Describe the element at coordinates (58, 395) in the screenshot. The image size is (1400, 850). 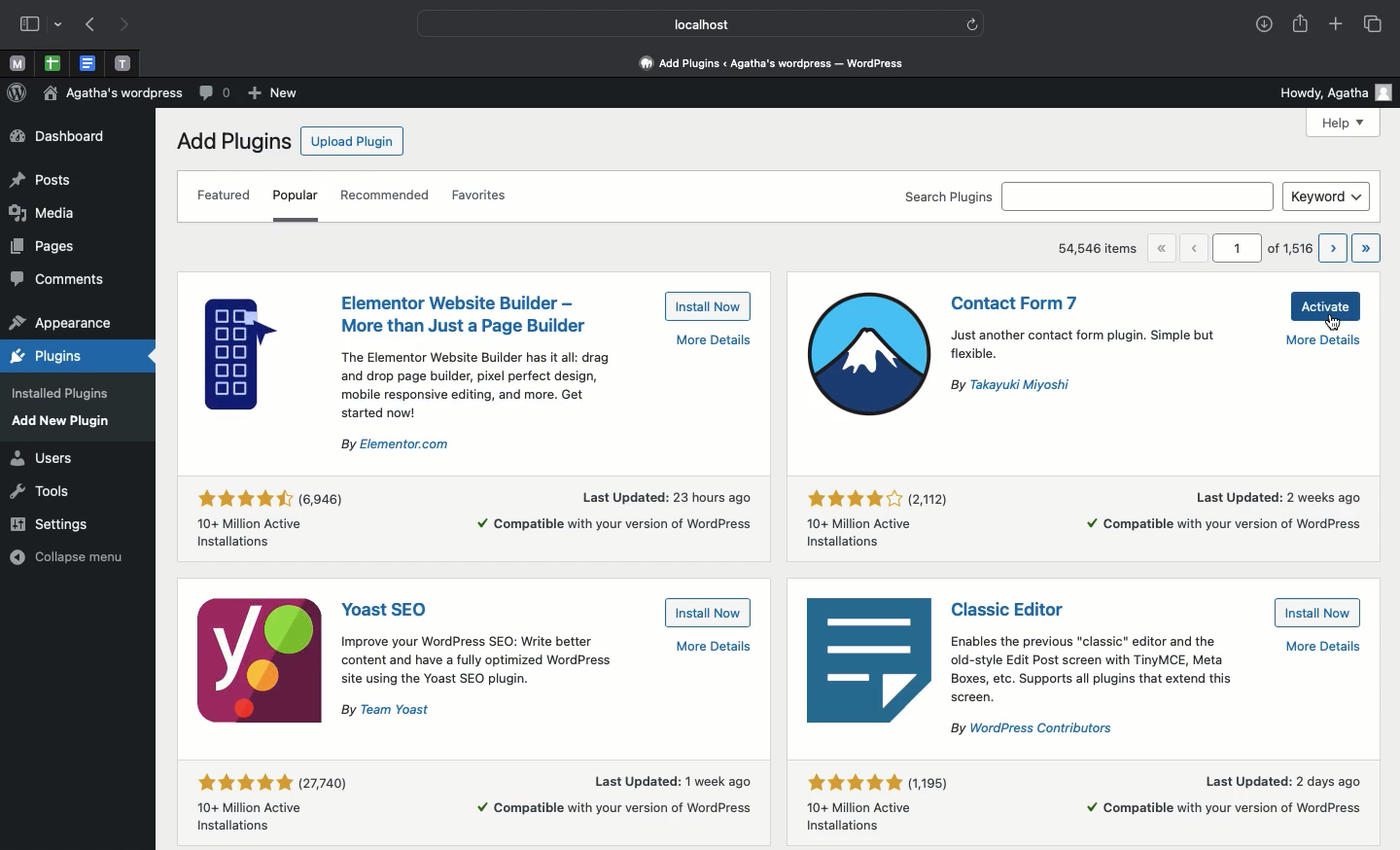
I see `installed plugins` at that location.